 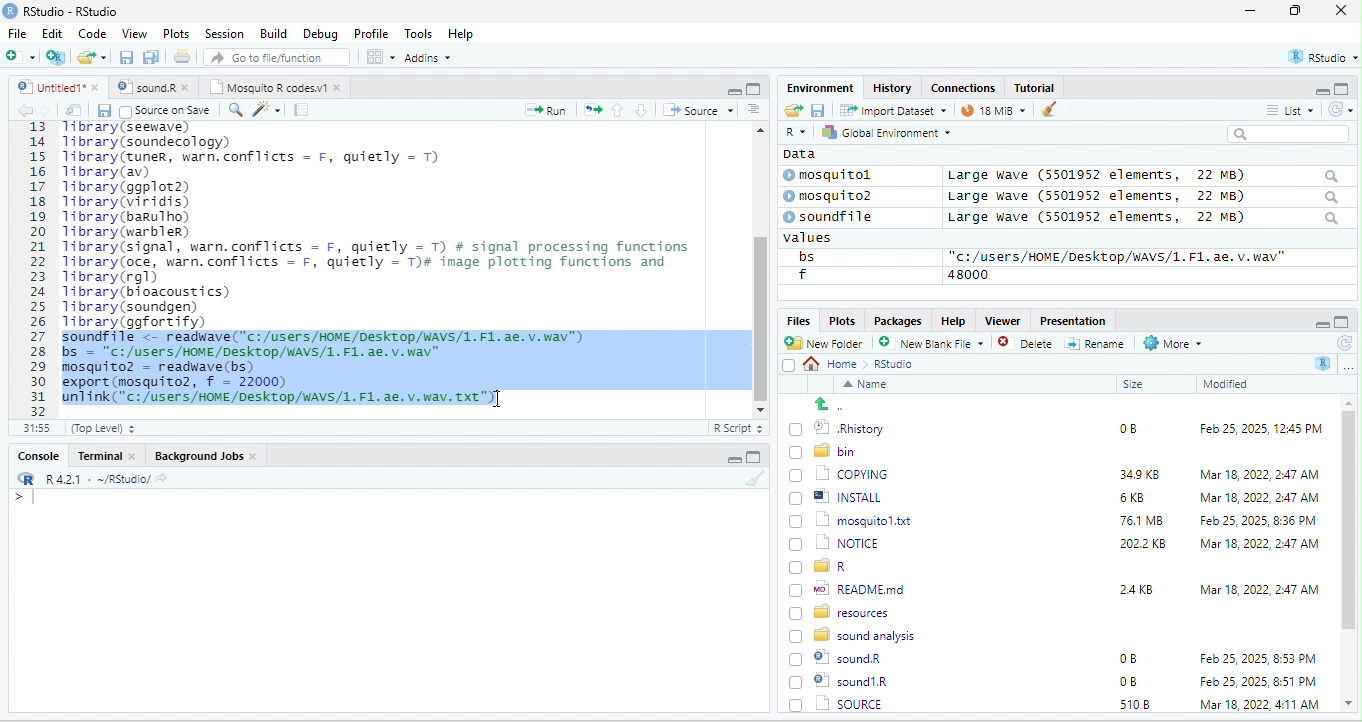 I want to click on © Untitied1* », so click(x=54, y=87).